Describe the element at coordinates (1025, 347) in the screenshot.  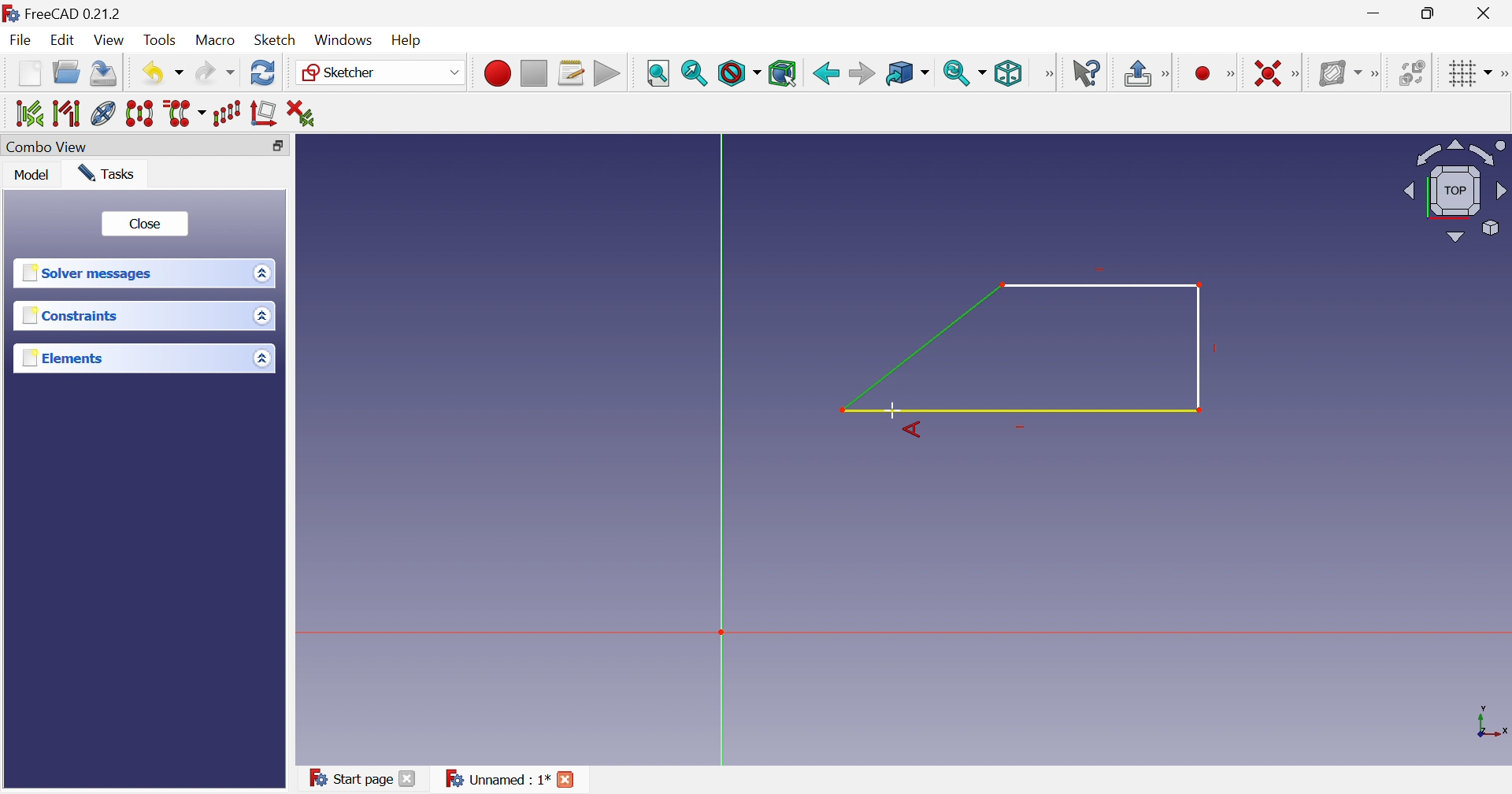
I see `Shape` at that location.